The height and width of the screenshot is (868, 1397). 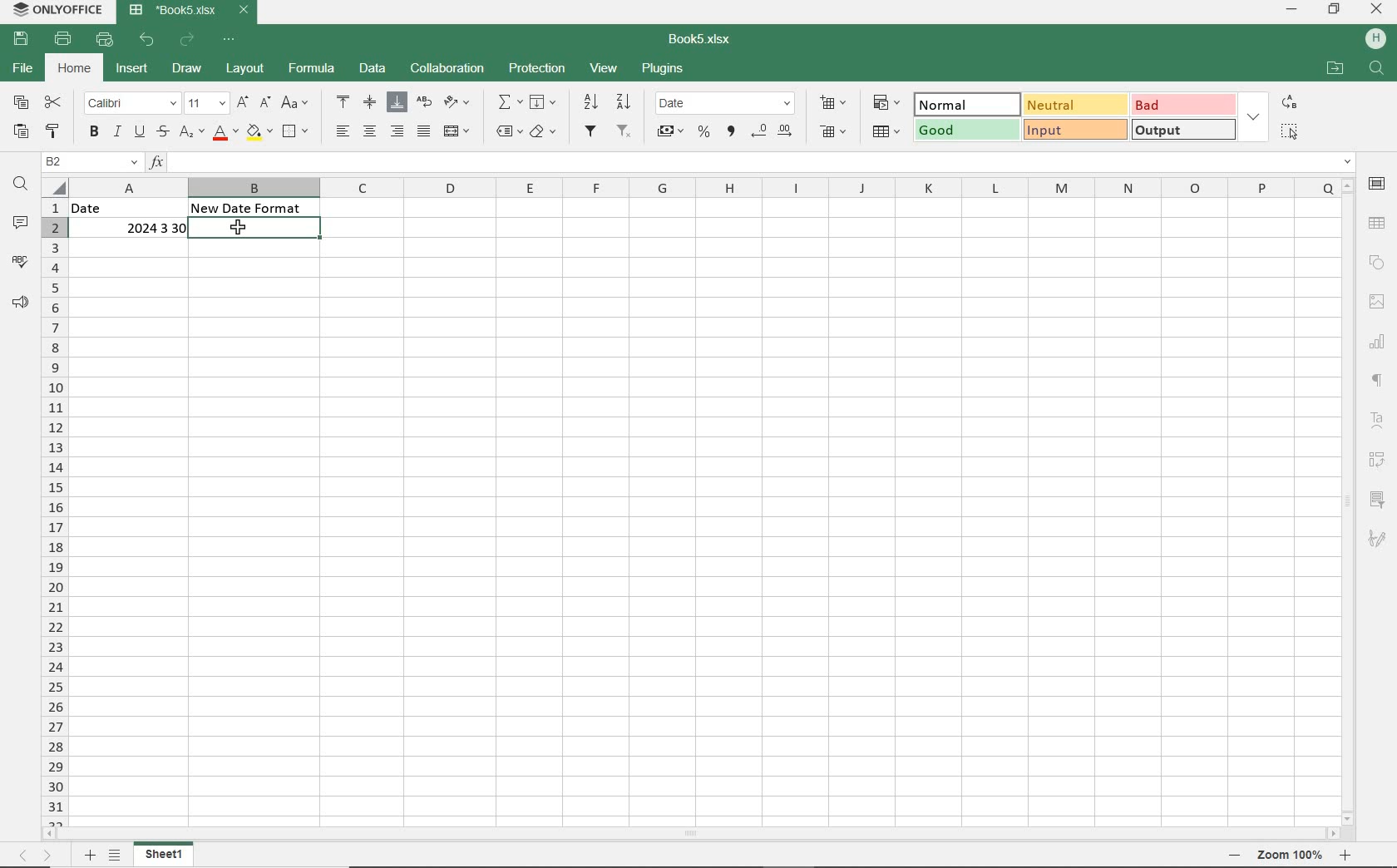 I want to click on zoom in, so click(x=1344, y=856).